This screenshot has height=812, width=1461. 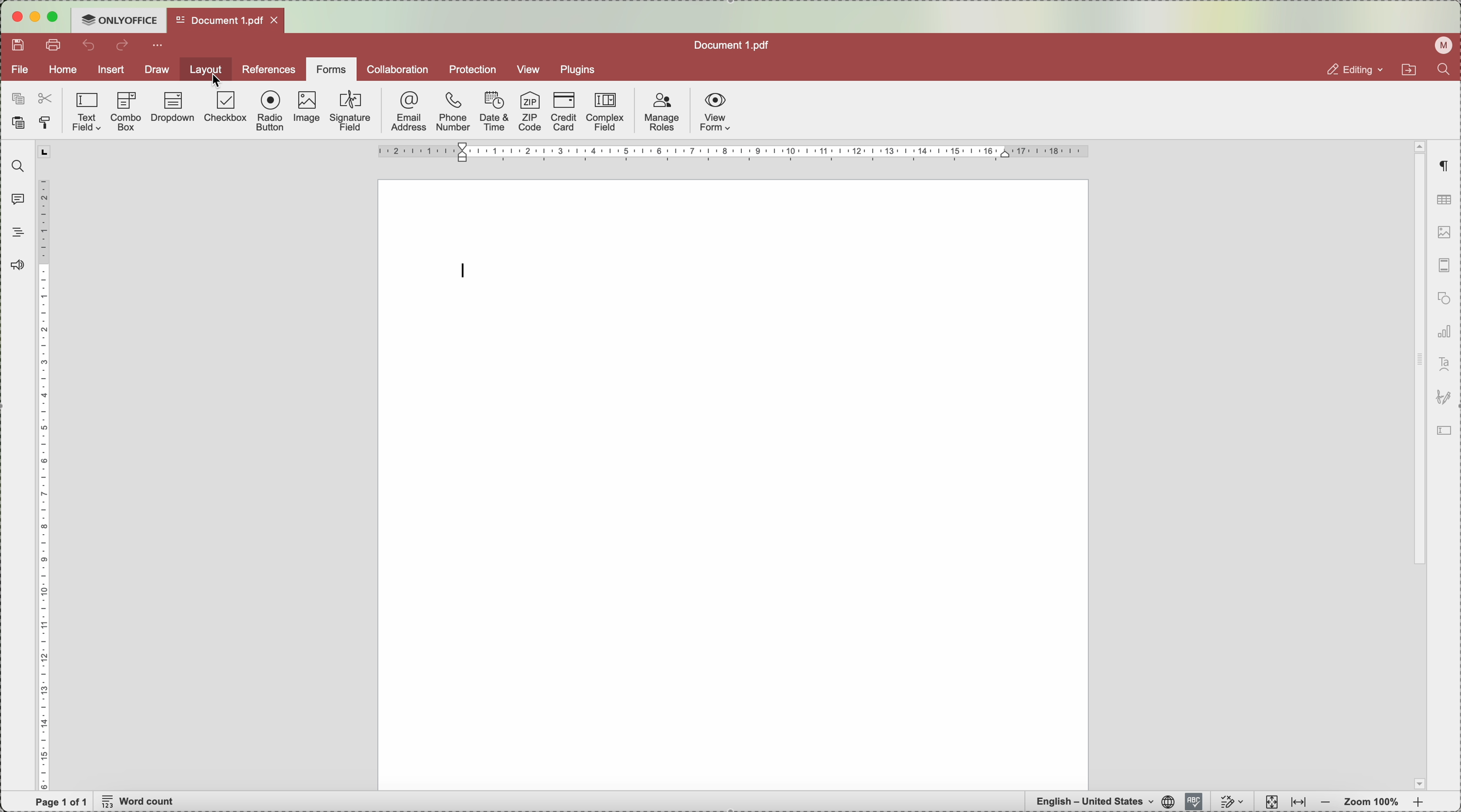 What do you see at coordinates (1447, 432) in the screenshot?
I see `icon` at bounding box center [1447, 432].